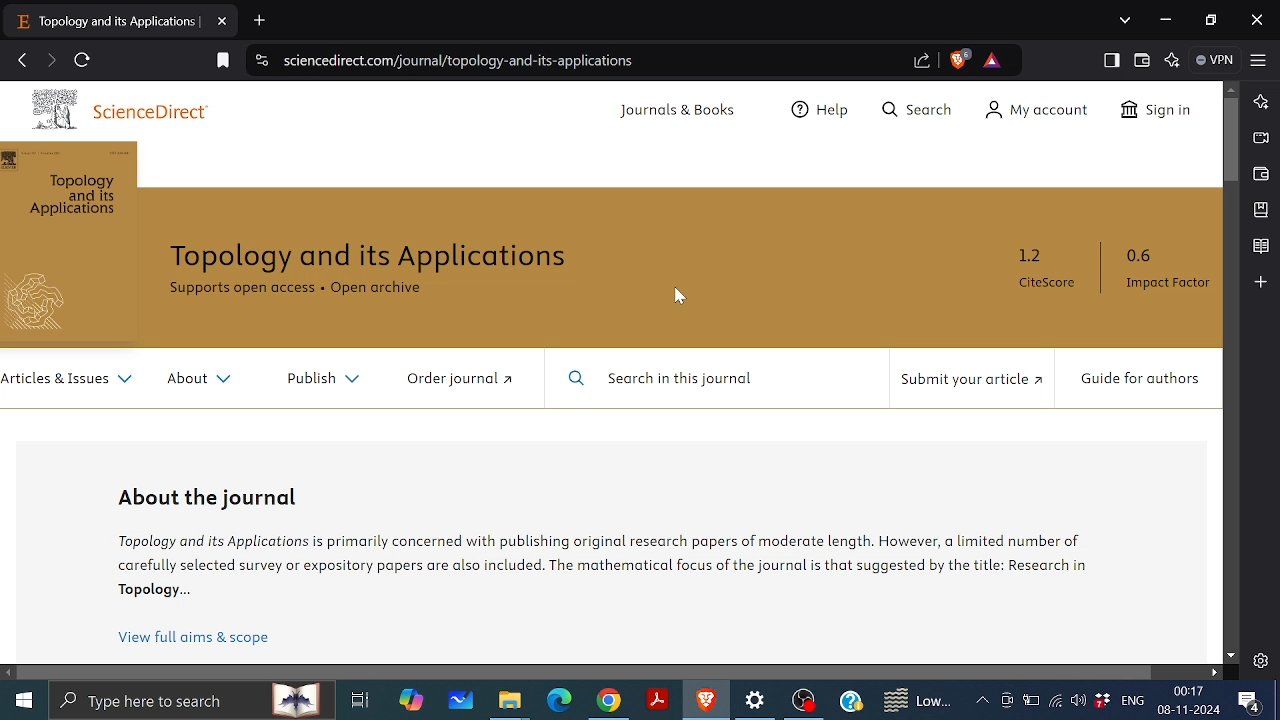 Image resolution: width=1280 pixels, height=720 pixels. I want to click on Show hidden icons, so click(982, 700).